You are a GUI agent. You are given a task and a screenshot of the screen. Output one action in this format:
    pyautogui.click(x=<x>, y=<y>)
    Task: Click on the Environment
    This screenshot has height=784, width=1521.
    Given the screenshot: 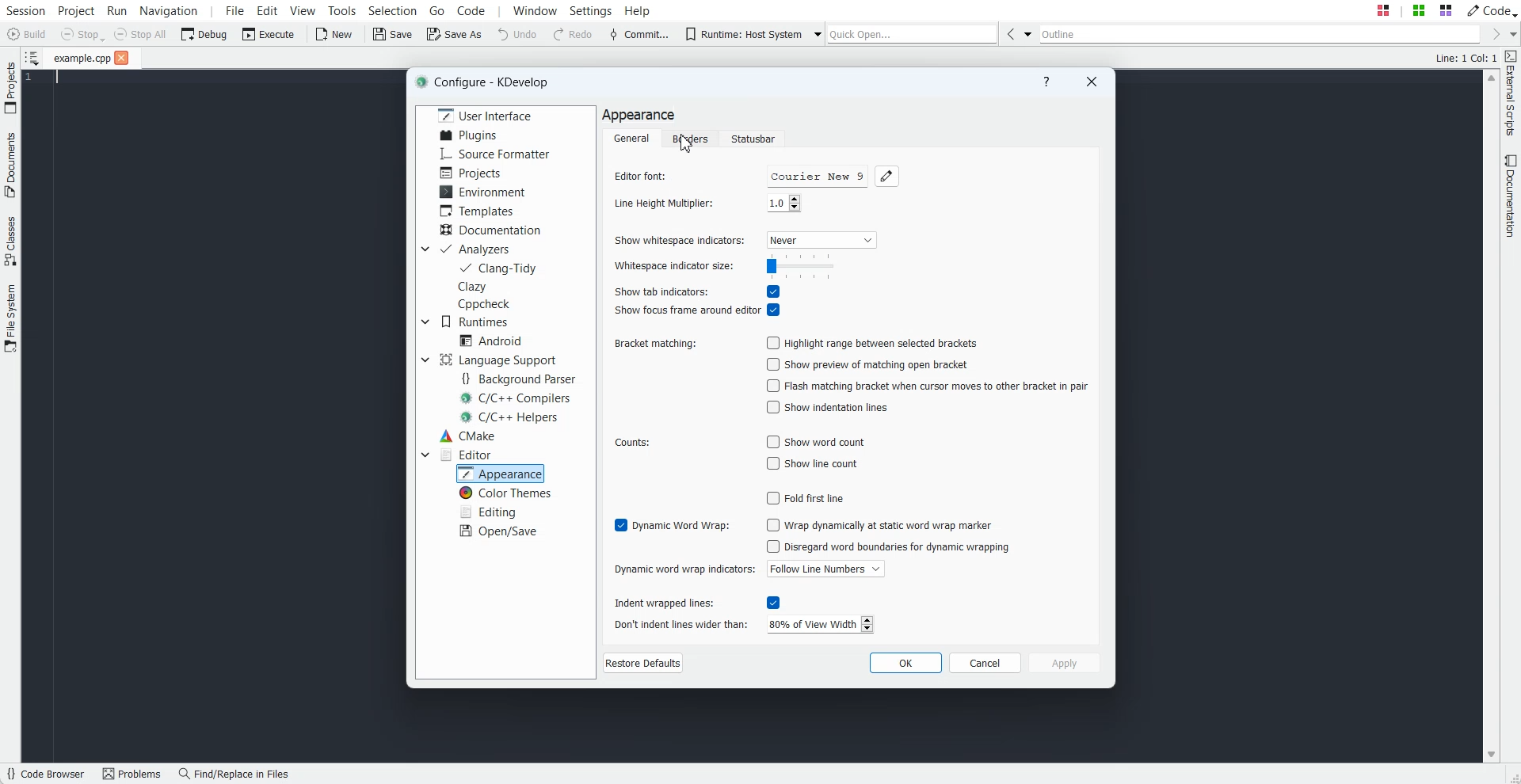 What is the action you would take?
    pyautogui.click(x=481, y=192)
    